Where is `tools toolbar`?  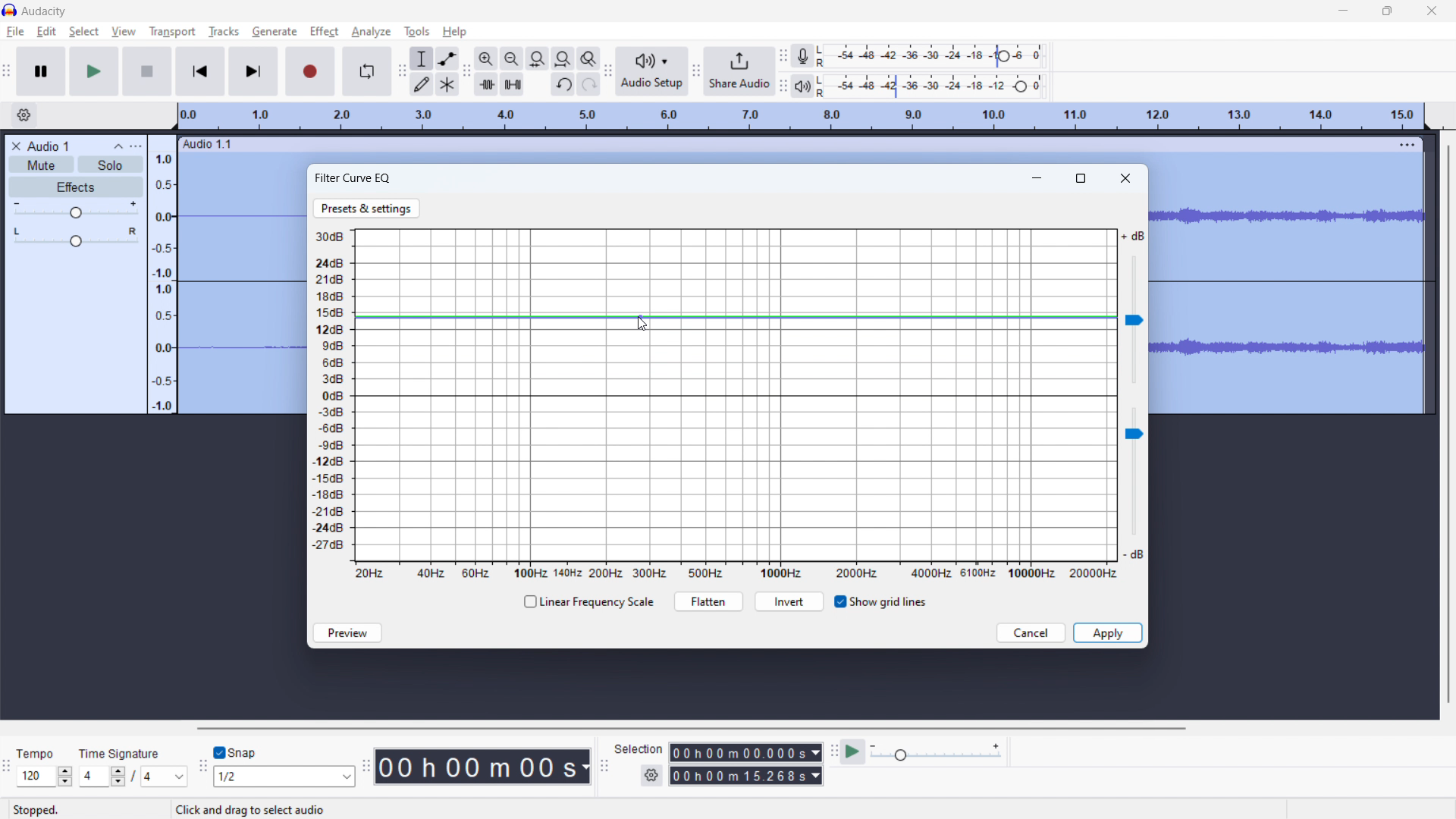 tools toolbar is located at coordinates (400, 71).